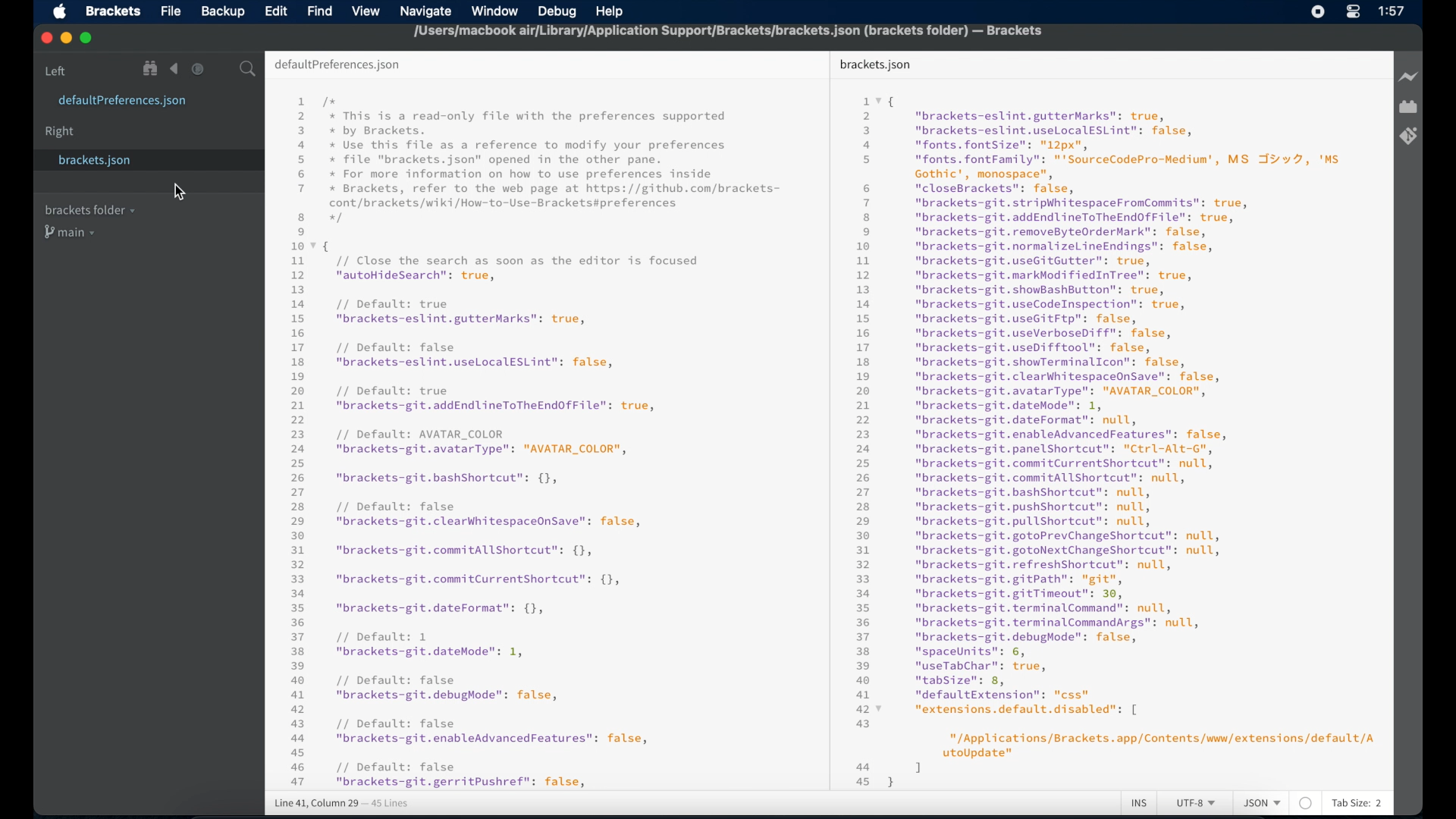 This screenshot has width=1456, height=819. Describe the element at coordinates (366, 11) in the screenshot. I see `view` at that location.